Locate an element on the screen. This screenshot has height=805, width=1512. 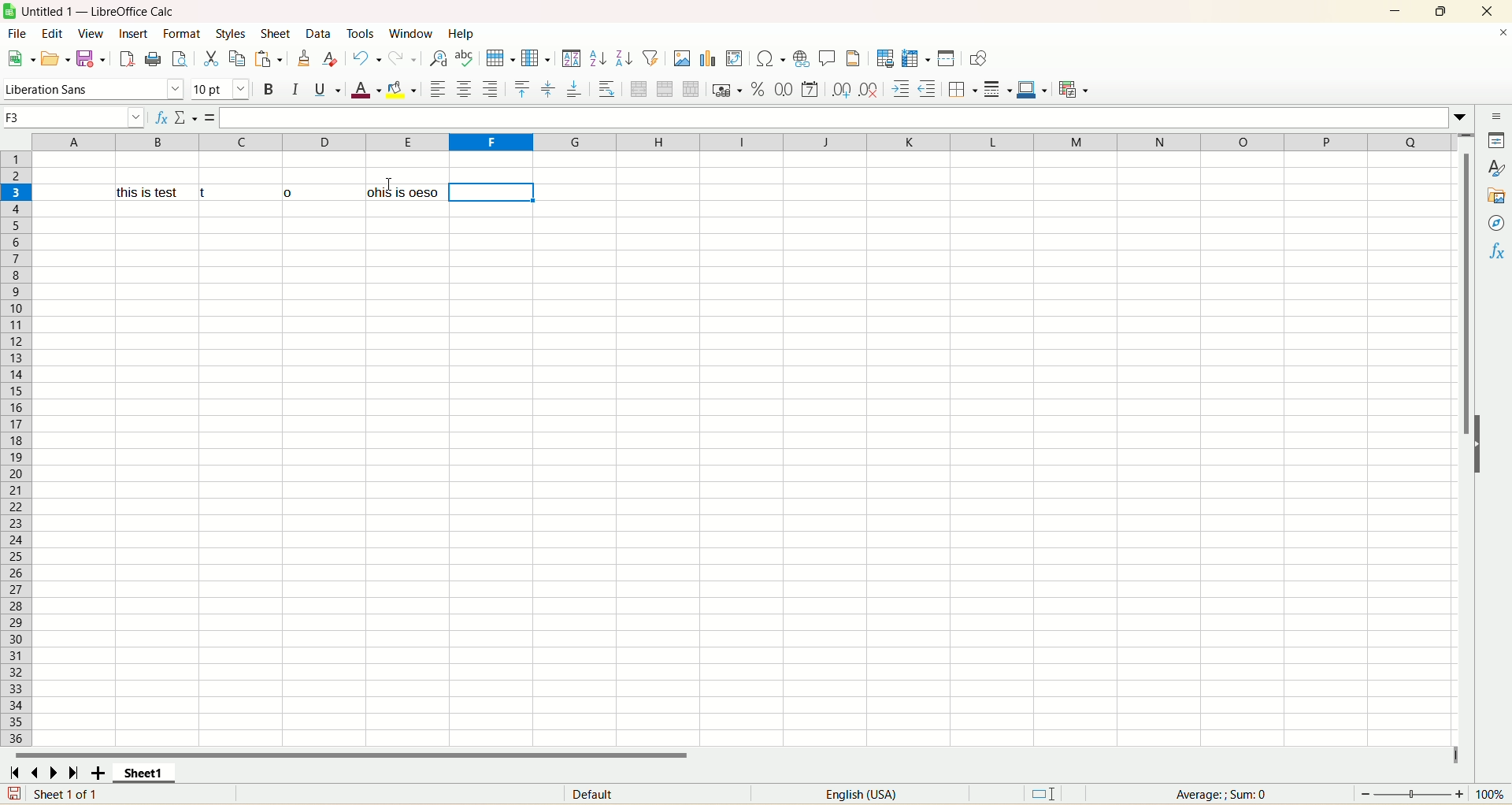
save is located at coordinates (88, 57).